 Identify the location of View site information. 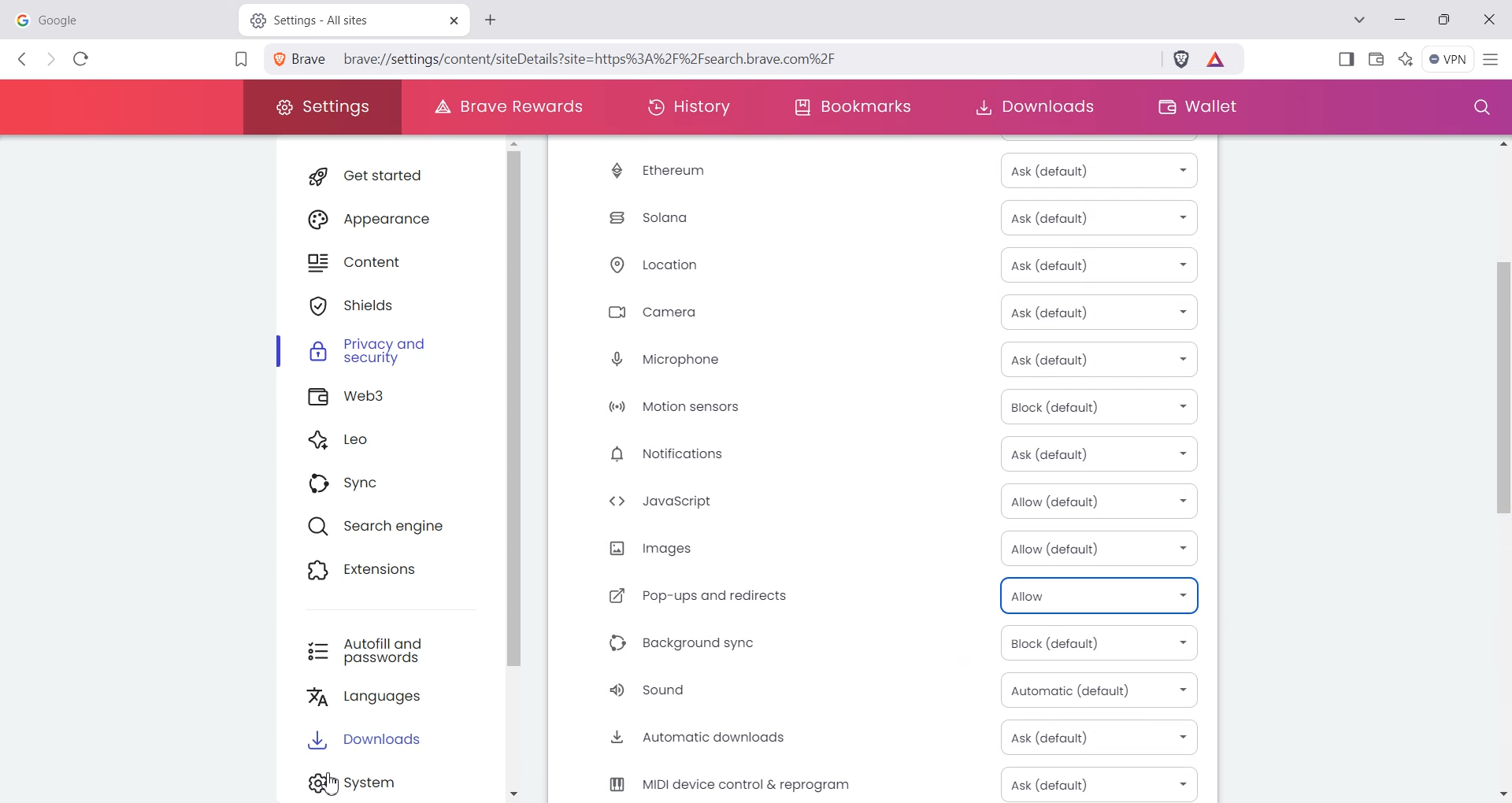
(302, 59).